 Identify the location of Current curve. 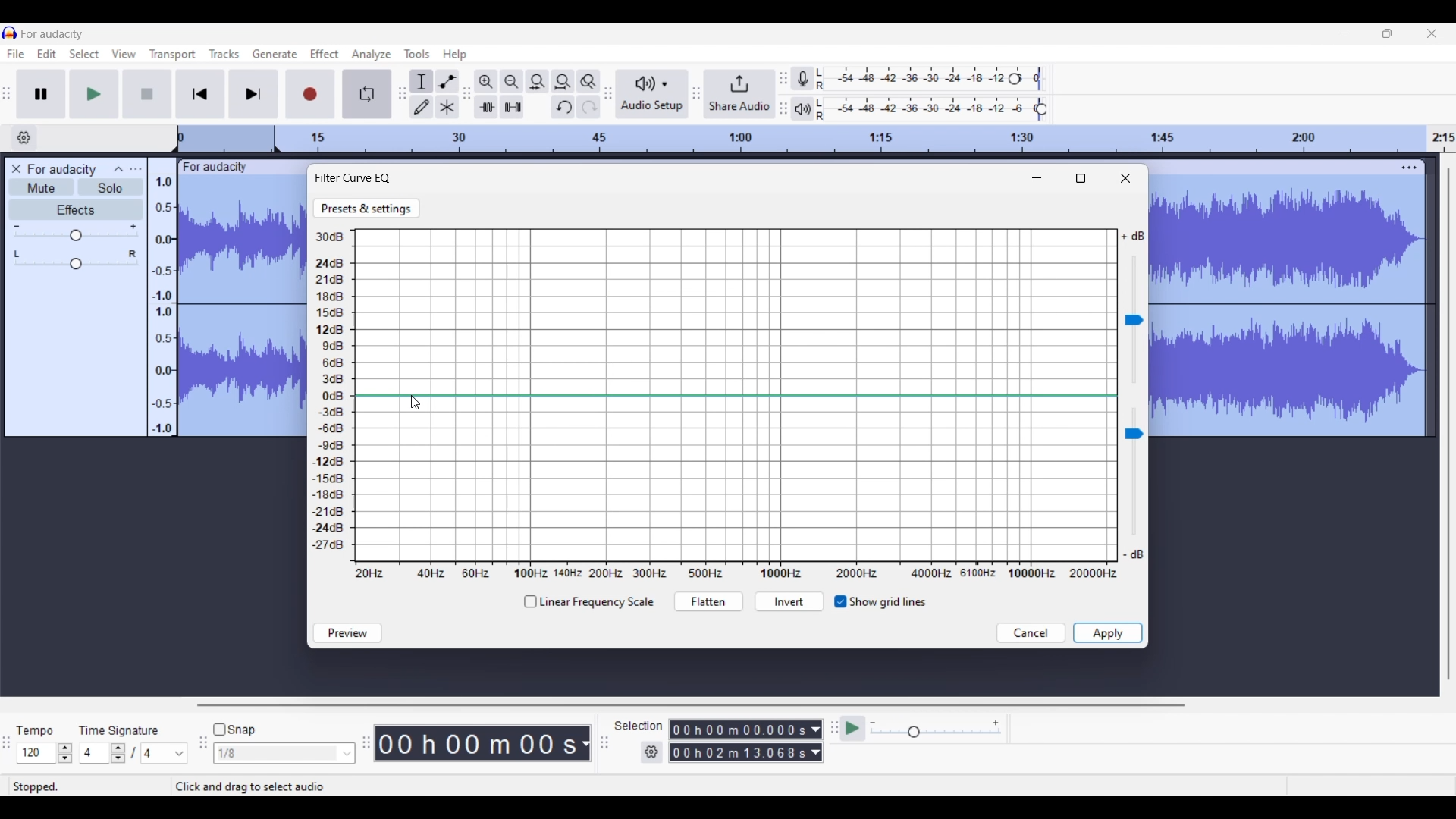
(736, 396).